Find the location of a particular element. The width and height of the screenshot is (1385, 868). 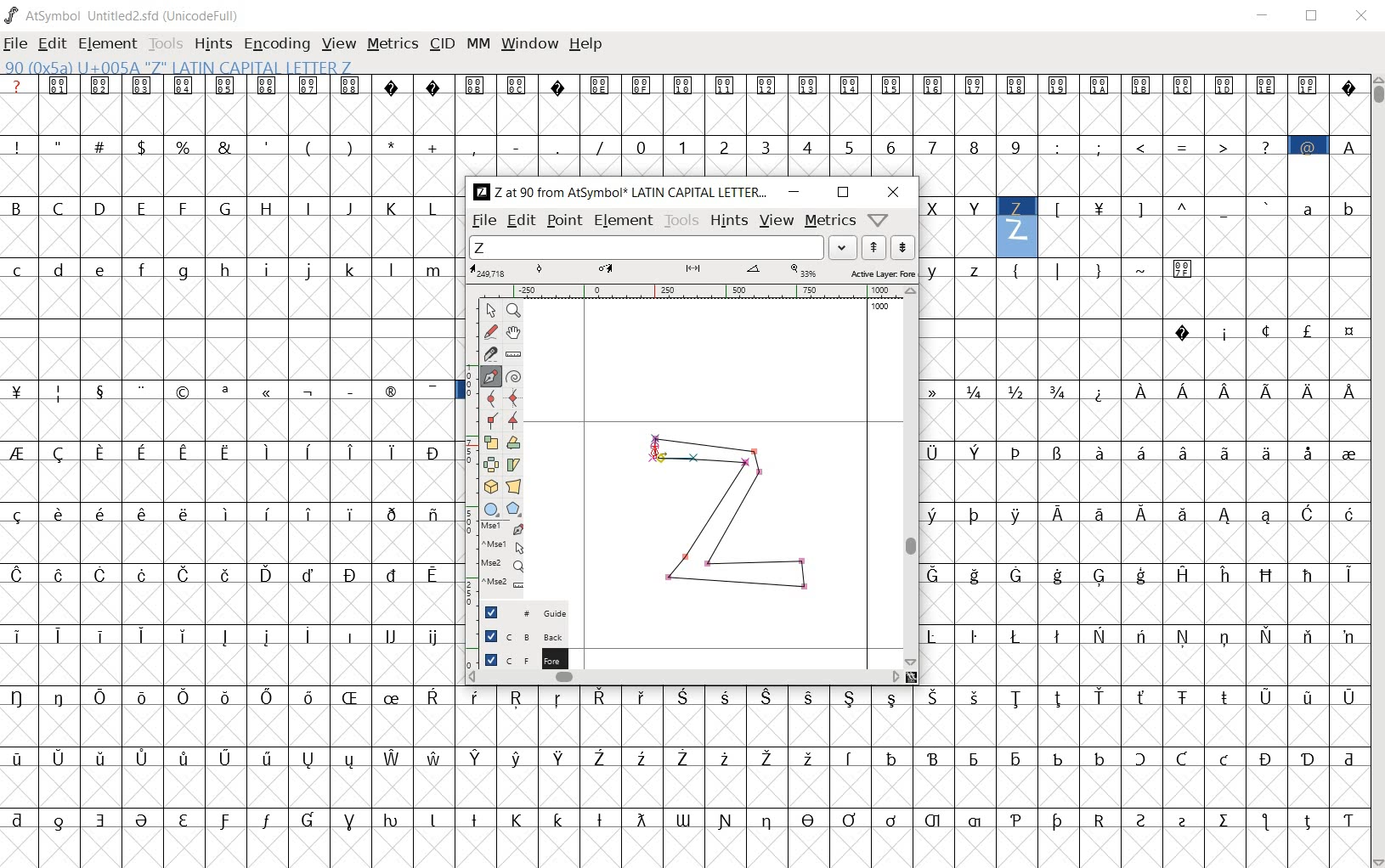

scrollbar is located at coordinates (685, 679).